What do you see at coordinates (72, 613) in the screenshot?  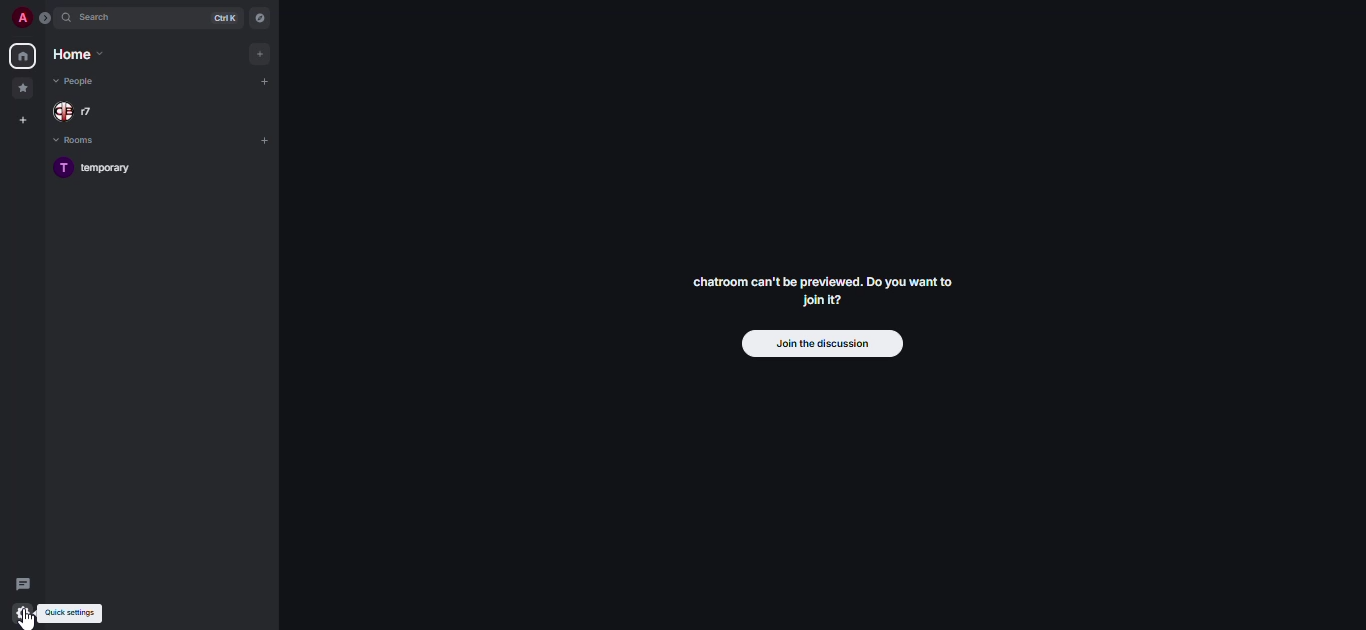 I see `quick settings` at bounding box center [72, 613].